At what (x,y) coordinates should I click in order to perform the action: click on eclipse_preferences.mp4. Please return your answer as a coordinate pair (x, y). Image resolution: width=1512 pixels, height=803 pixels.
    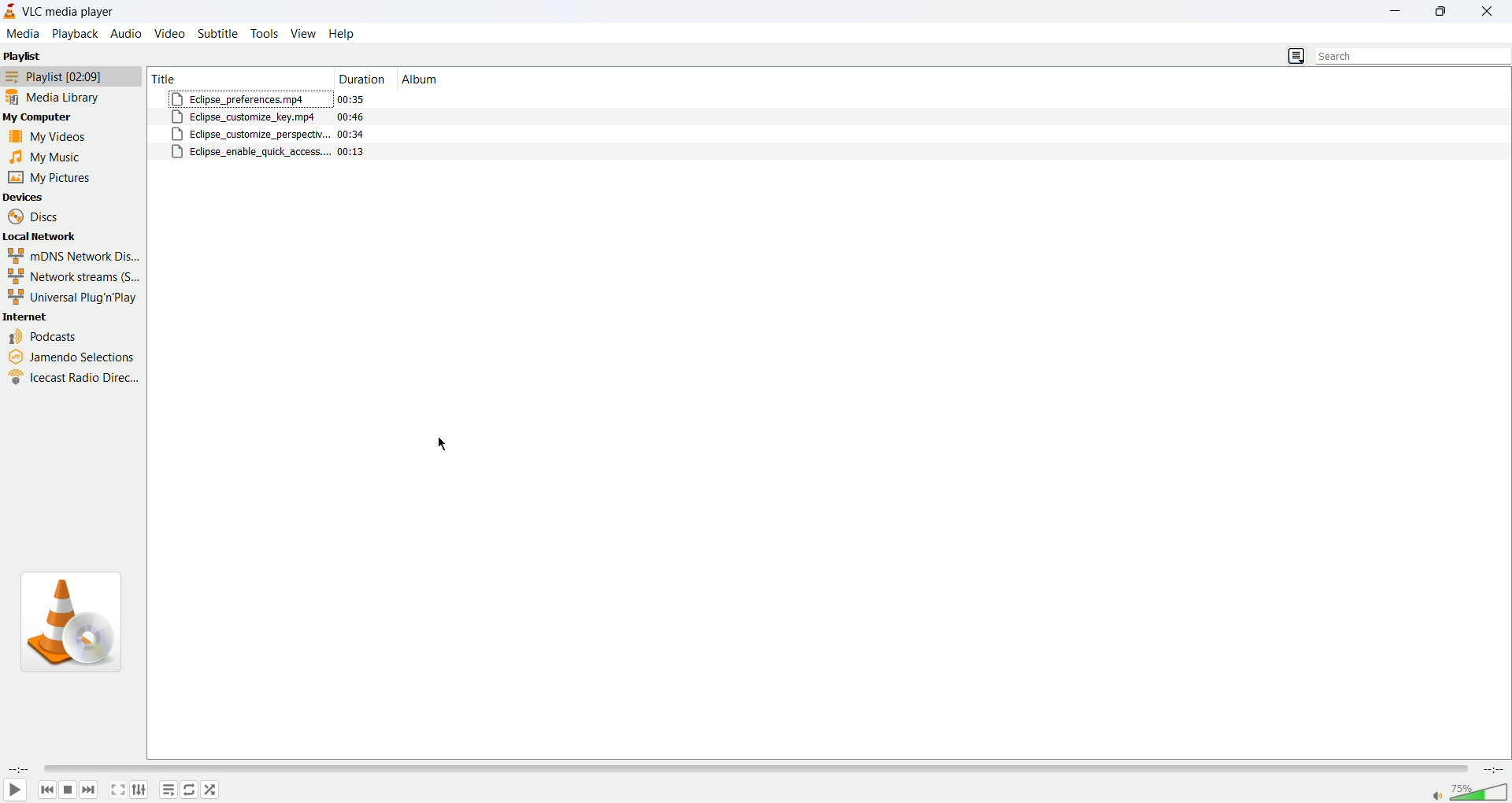
    Looking at the image, I should click on (247, 99).